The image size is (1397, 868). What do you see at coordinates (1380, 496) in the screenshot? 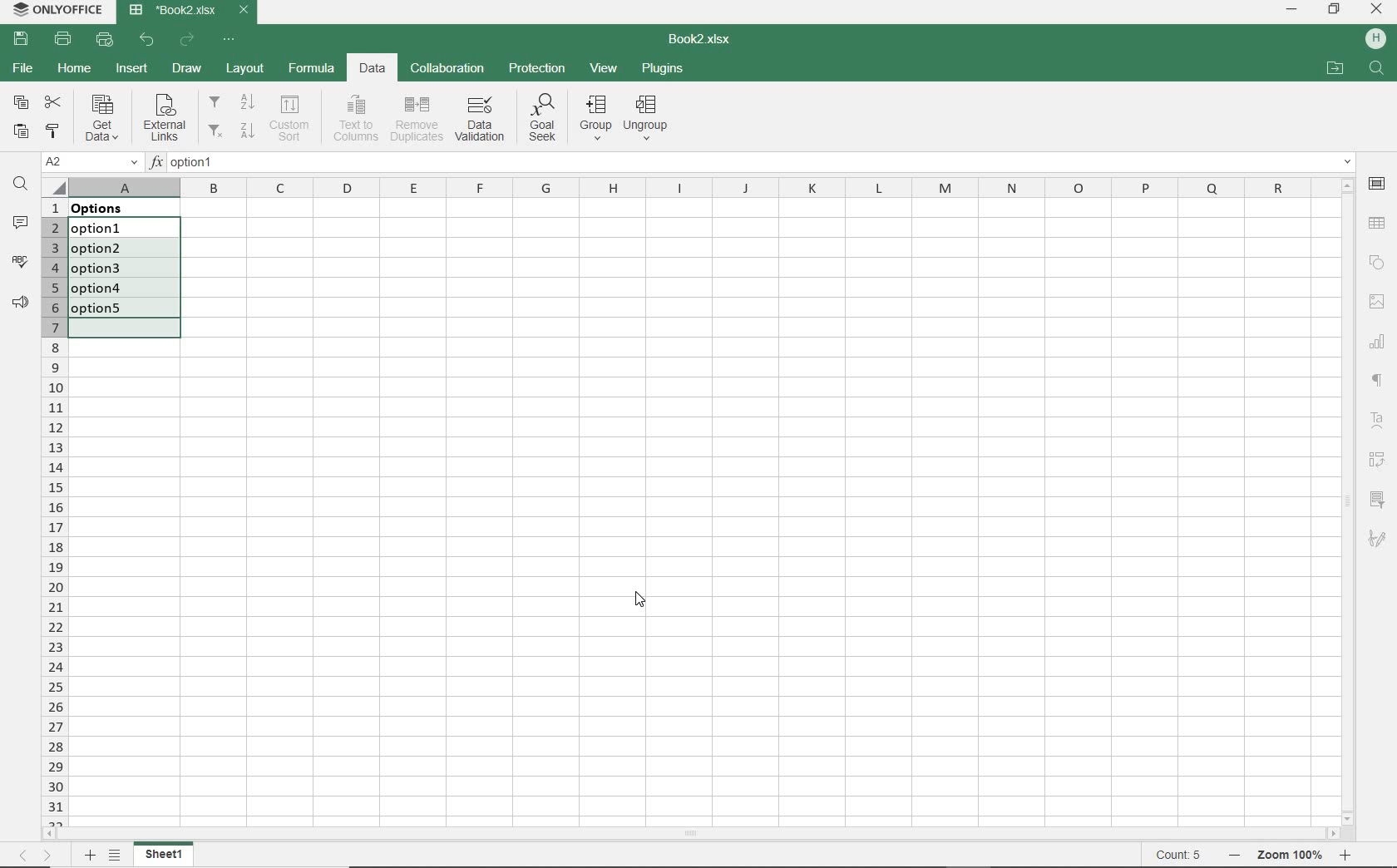
I see `filter` at bounding box center [1380, 496].